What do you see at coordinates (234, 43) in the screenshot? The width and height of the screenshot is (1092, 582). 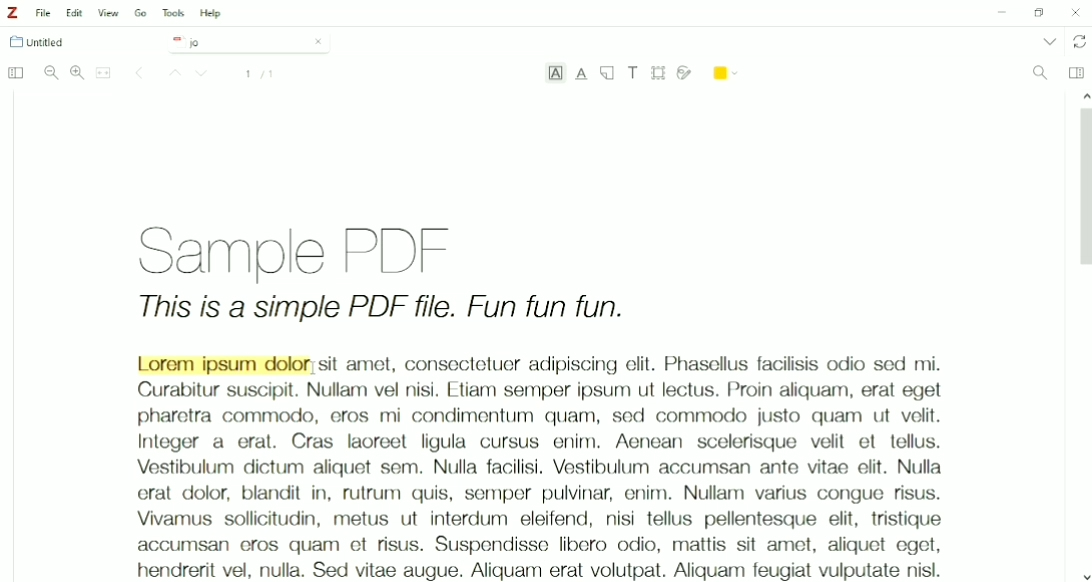 I see `jo` at bounding box center [234, 43].